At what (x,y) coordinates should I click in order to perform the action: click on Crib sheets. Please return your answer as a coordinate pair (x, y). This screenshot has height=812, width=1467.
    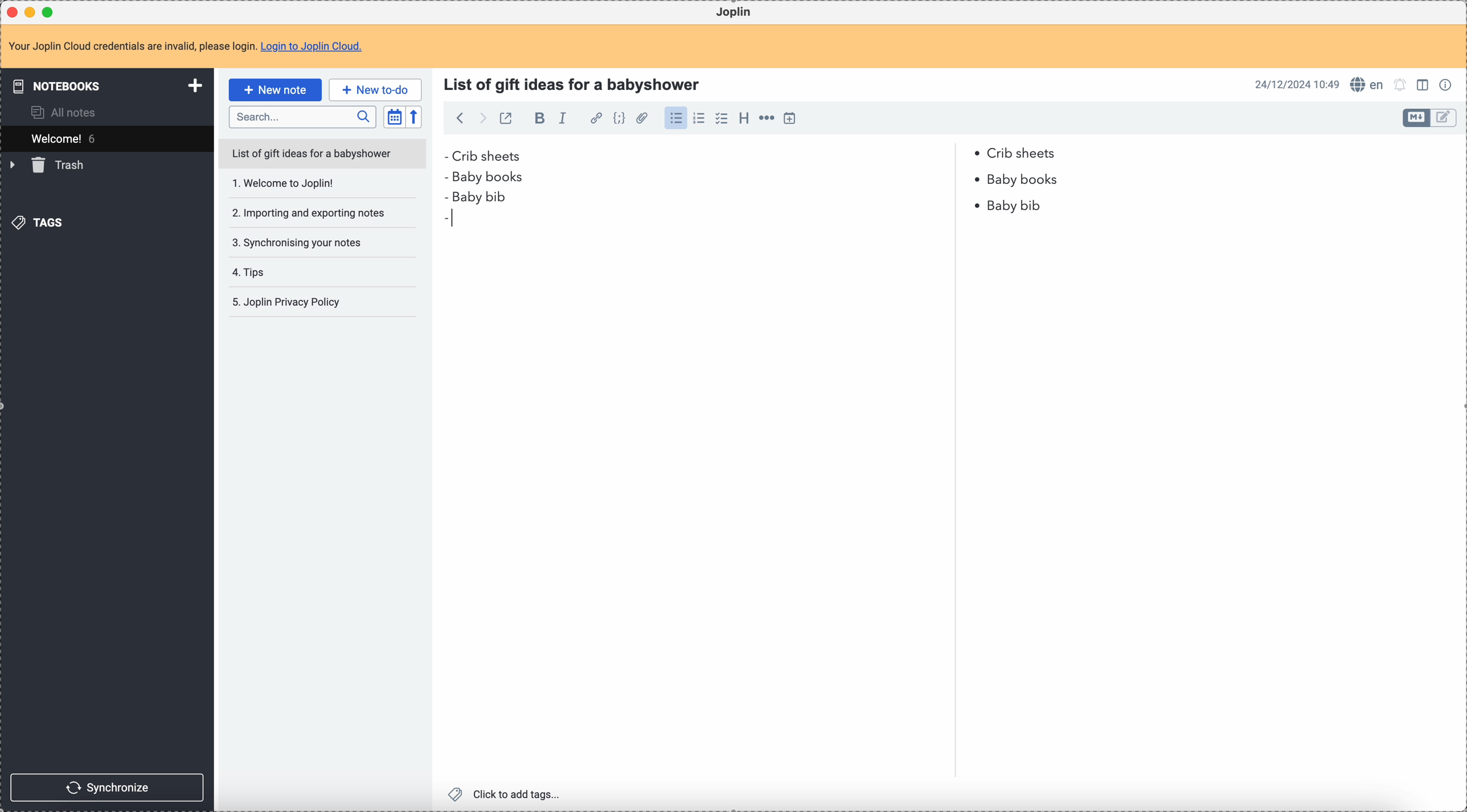
    Looking at the image, I should click on (757, 155).